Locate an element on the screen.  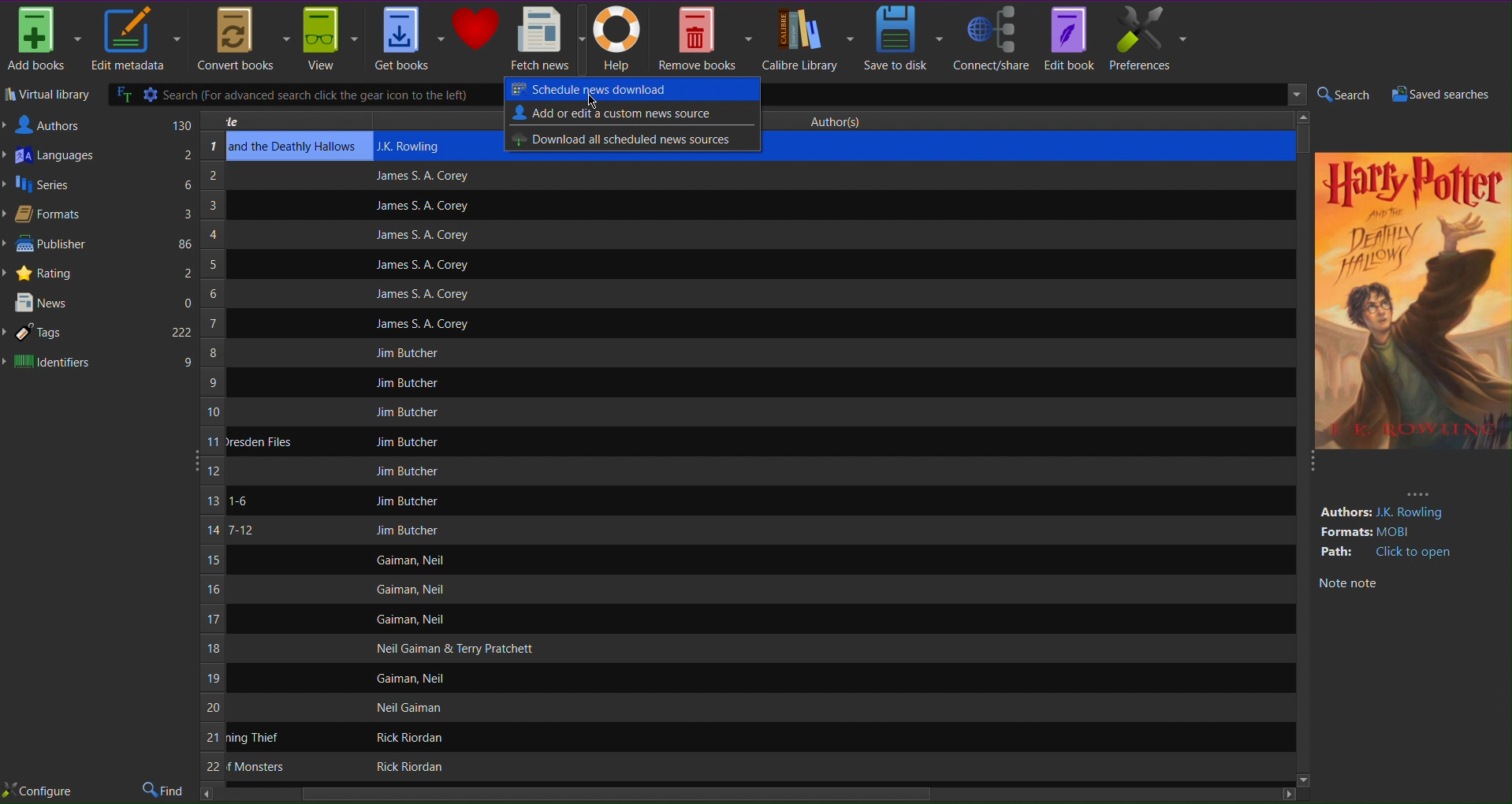
and the Deathly Hallows is located at coordinates (294, 147).